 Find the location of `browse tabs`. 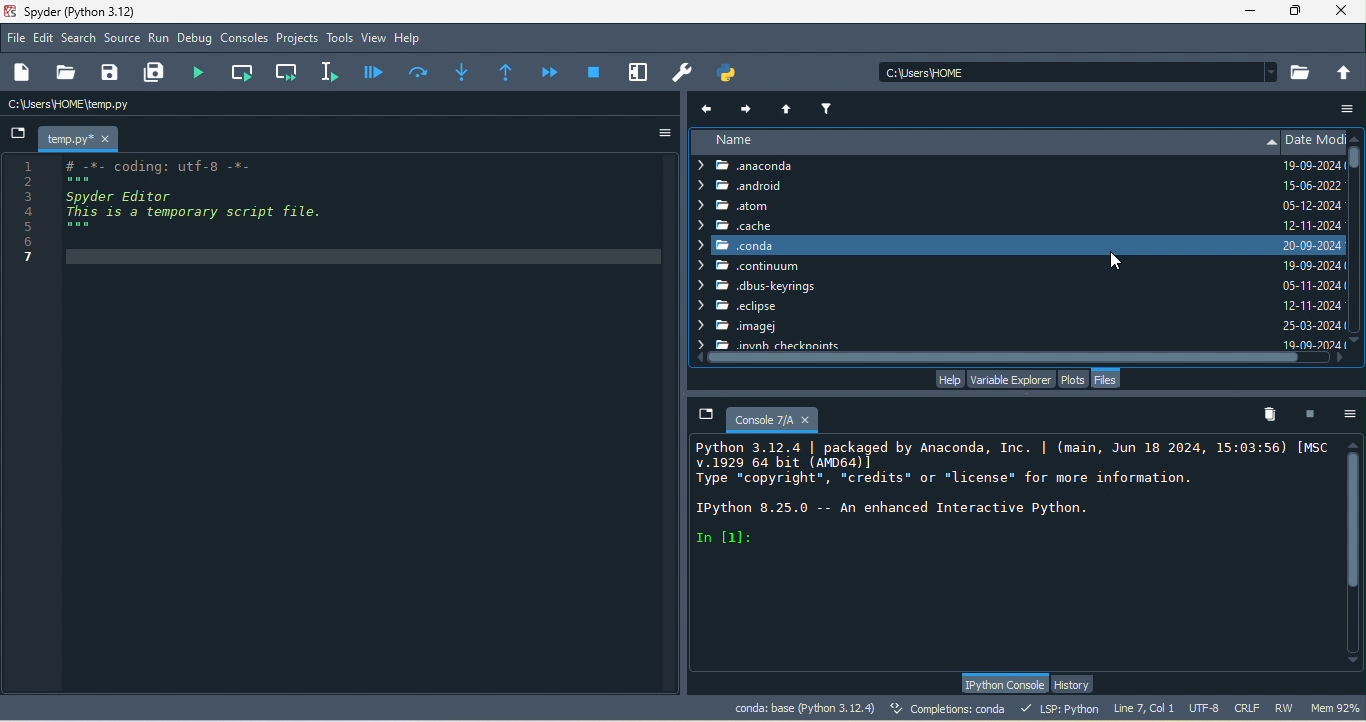

browse tabs is located at coordinates (18, 135).